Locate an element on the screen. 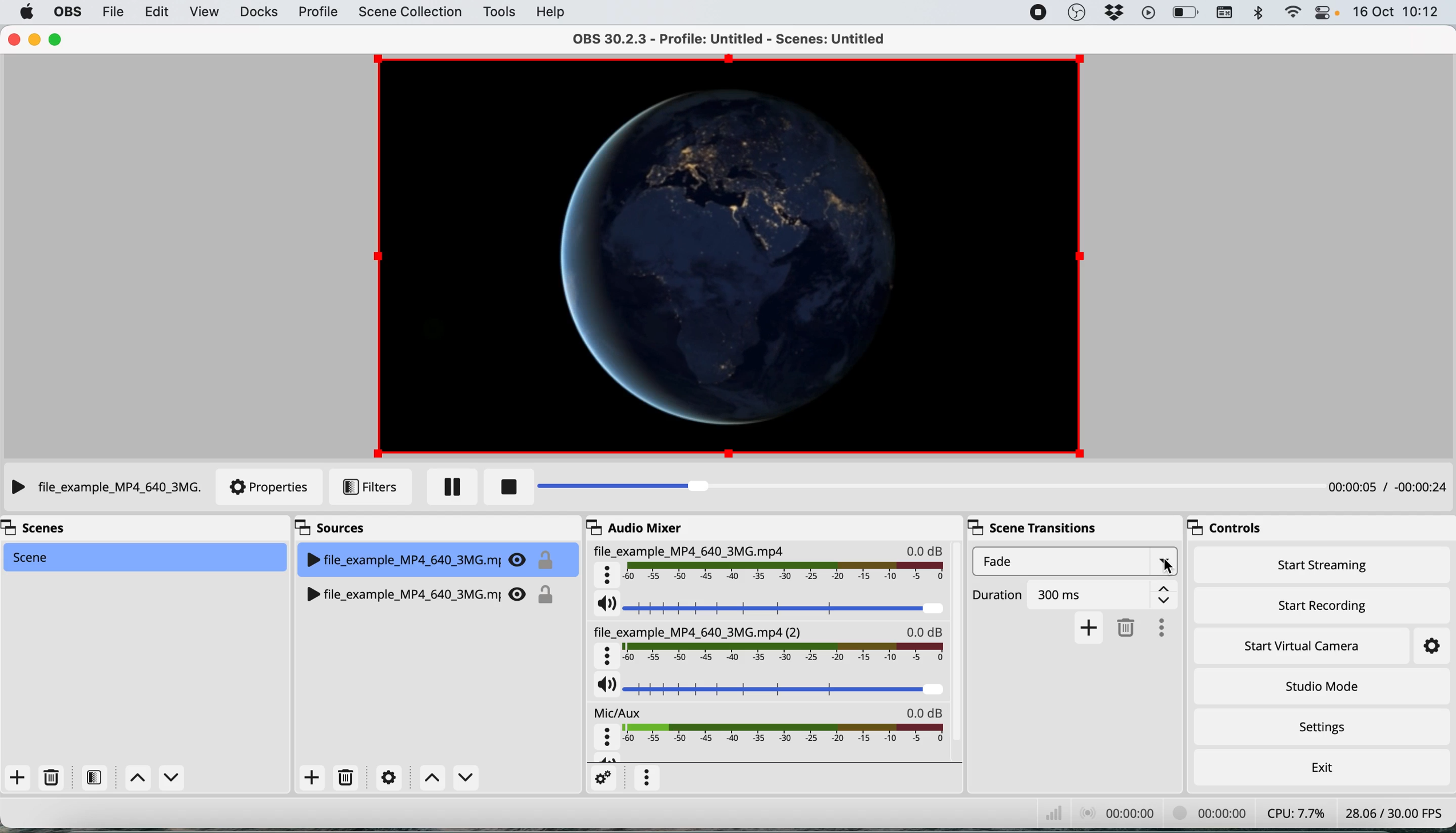  start streaming is located at coordinates (1318, 567).